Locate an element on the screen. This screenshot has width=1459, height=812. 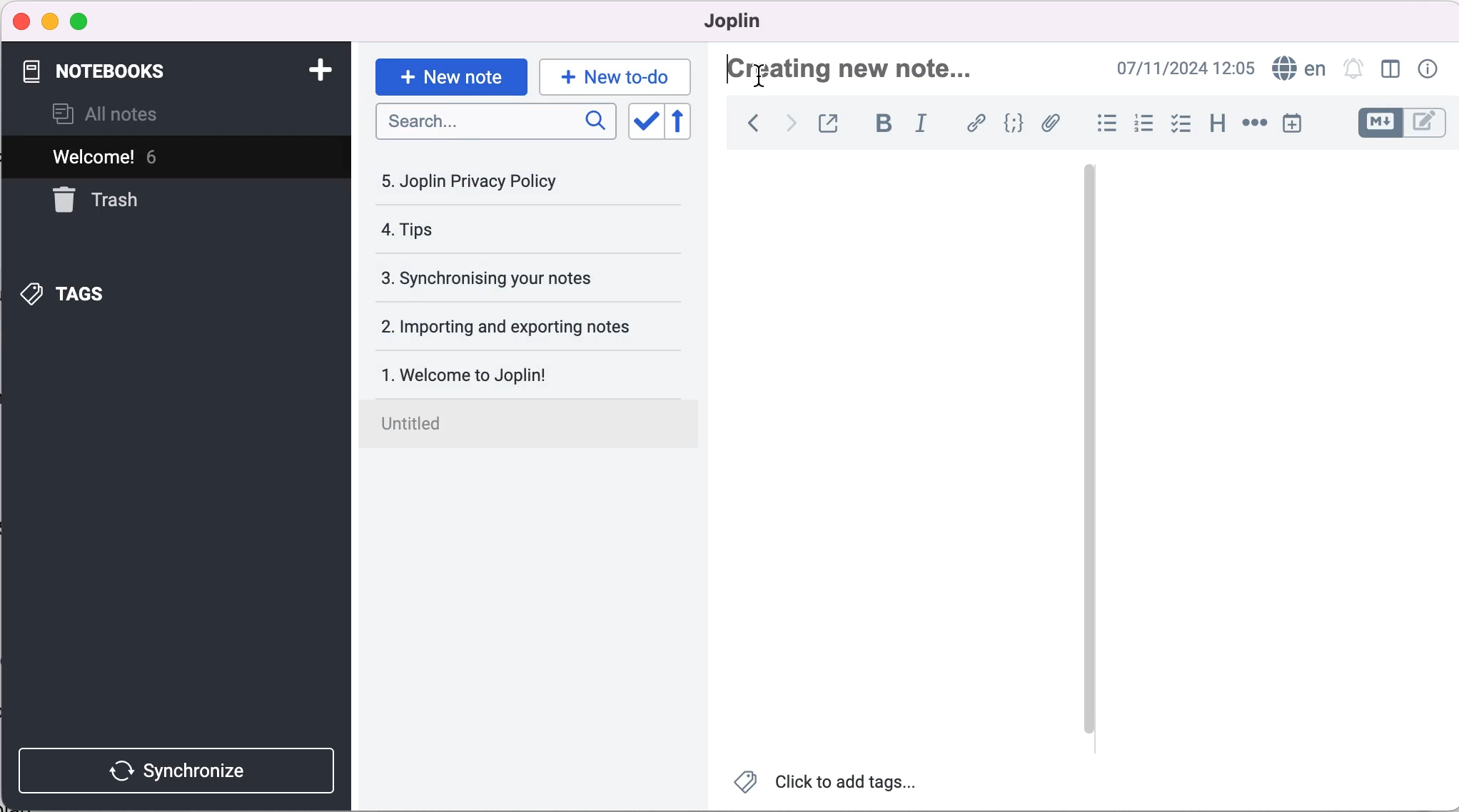
note properties is located at coordinates (1429, 71).